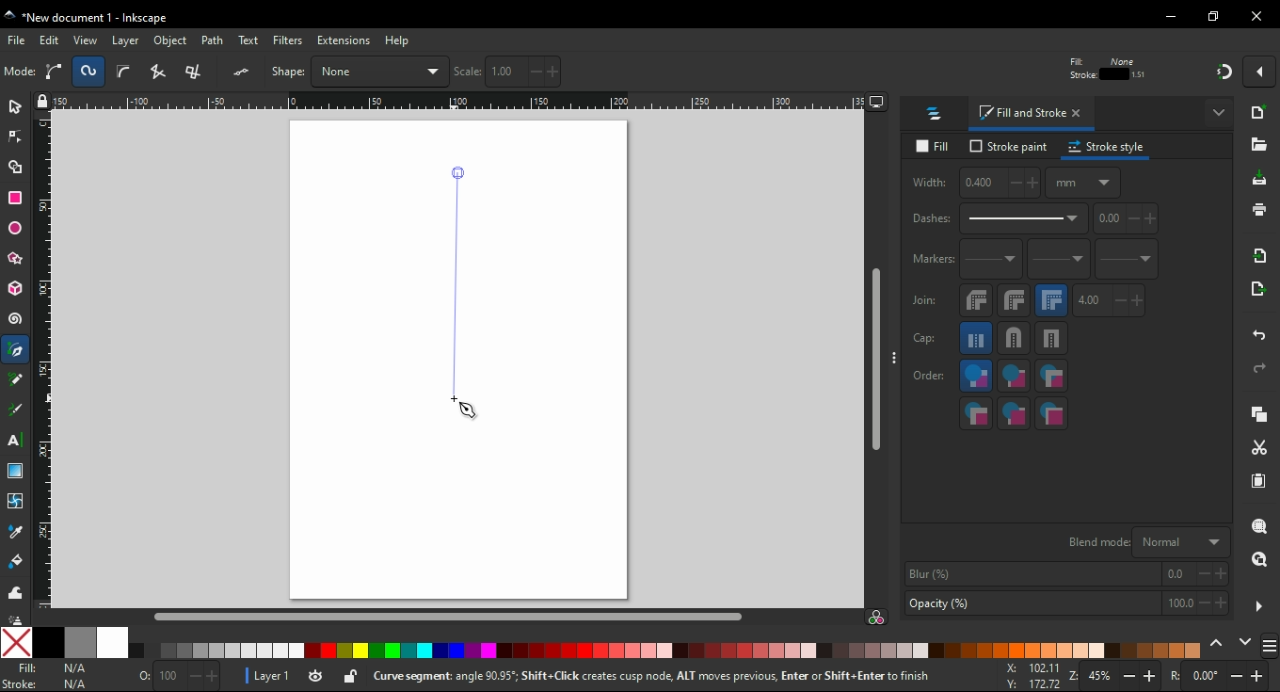  What do you see at coordinates (245, 71) in the screenshot?
I see `object flip horizontal` at bounding box center [245, 71].